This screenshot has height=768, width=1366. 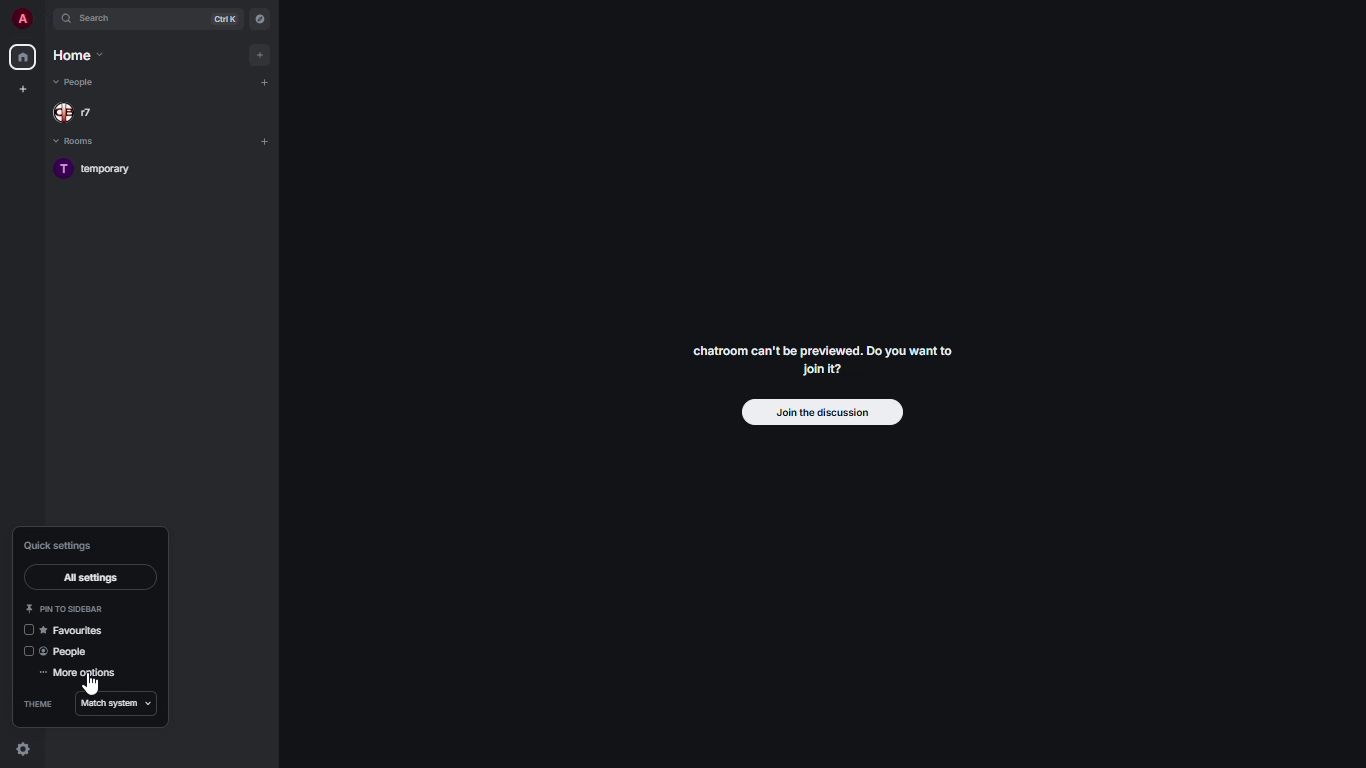 What do you see at coordinates (59, 545) in the screenshot?
I see `quick settings` at bounding box center [59, 545].